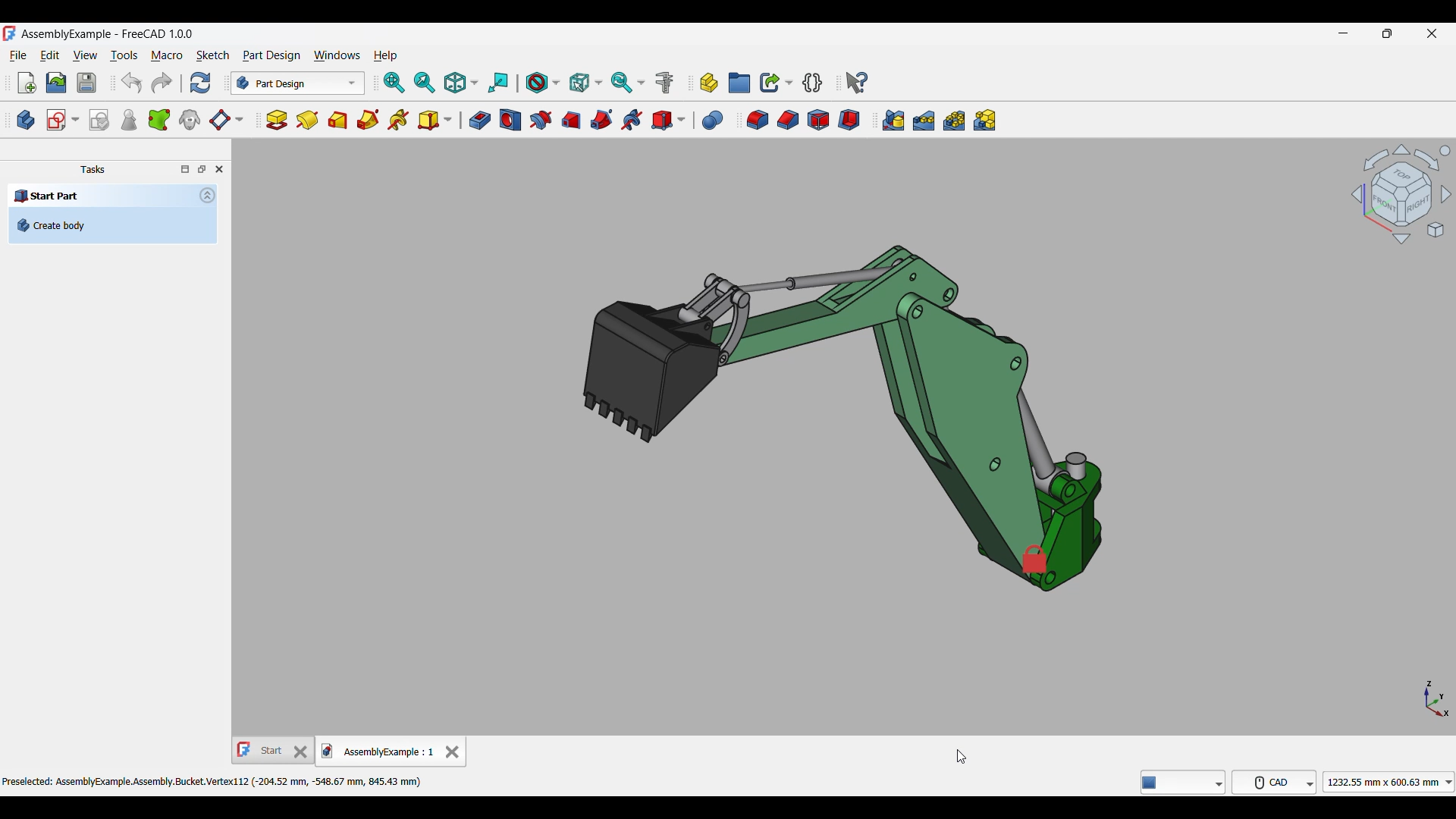 The height and width of the screenshot is (819, 1456). Describe the element at coordinates (86, 83) in the screenshot. I see `Save` at that location.